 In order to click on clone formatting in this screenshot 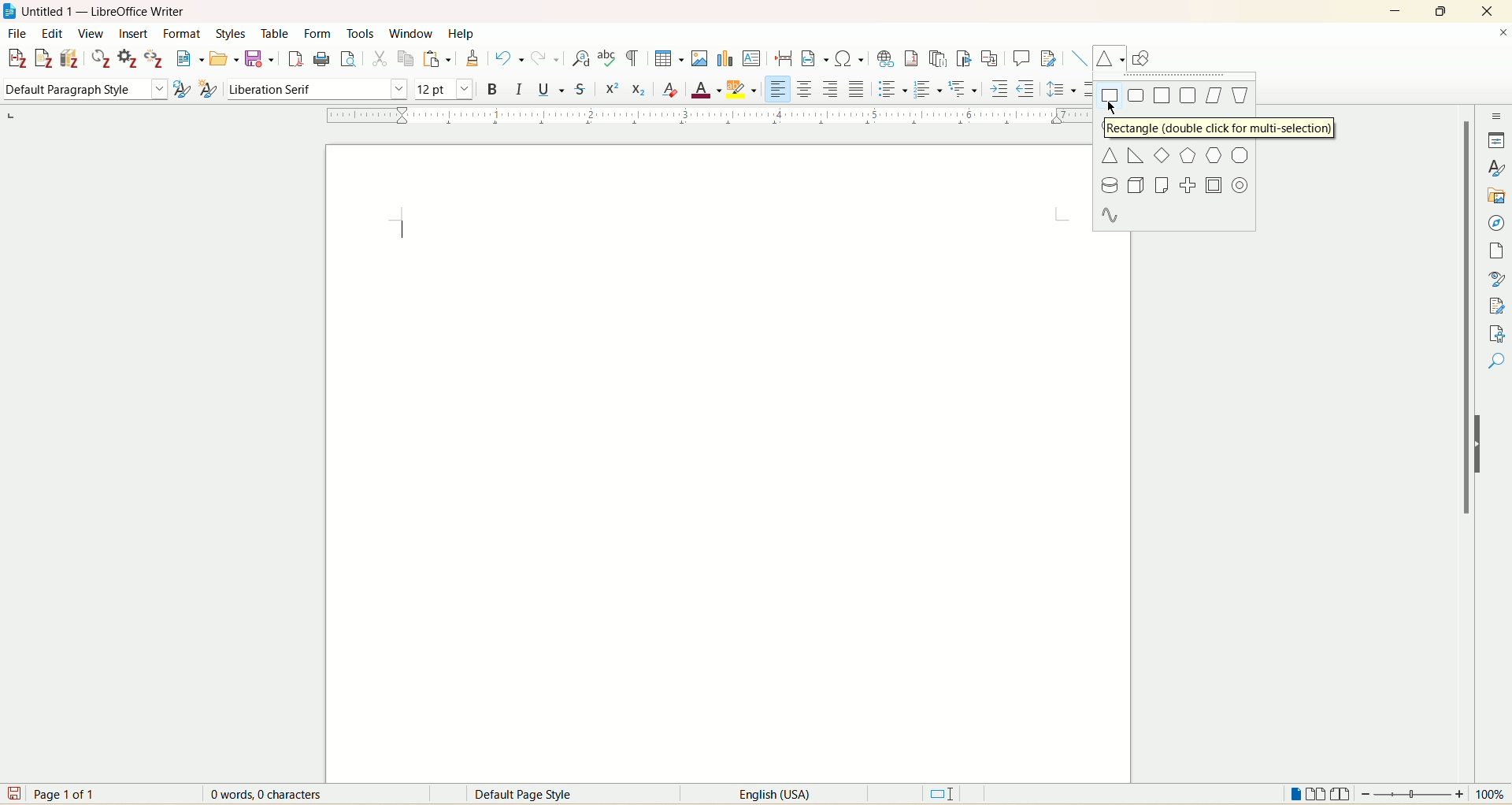, I will do `click(472, 58)`.